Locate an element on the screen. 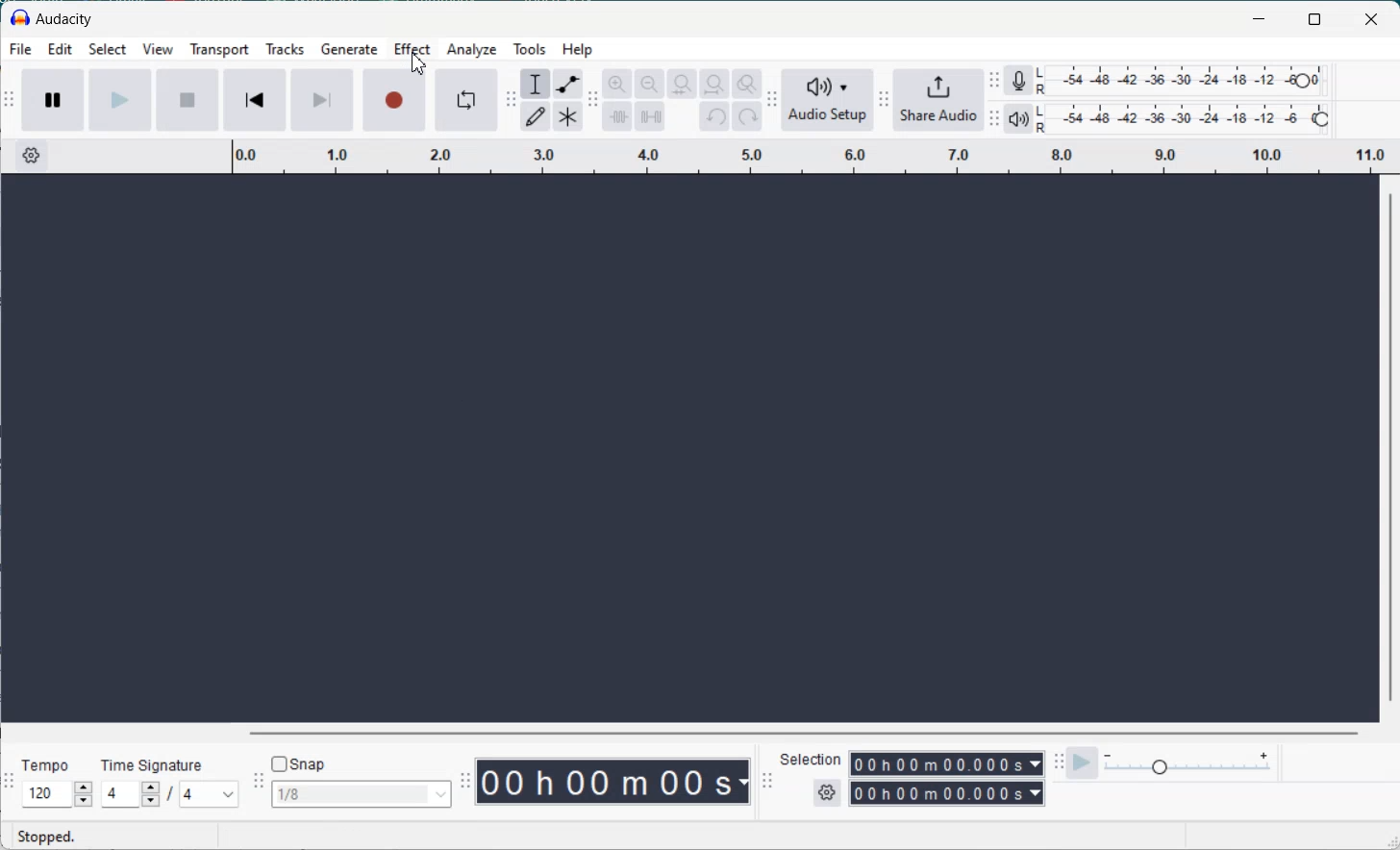 This screenshot has height=850, width=1400. Audacity Playback meter toolbar is located at coordinates (995, 117).